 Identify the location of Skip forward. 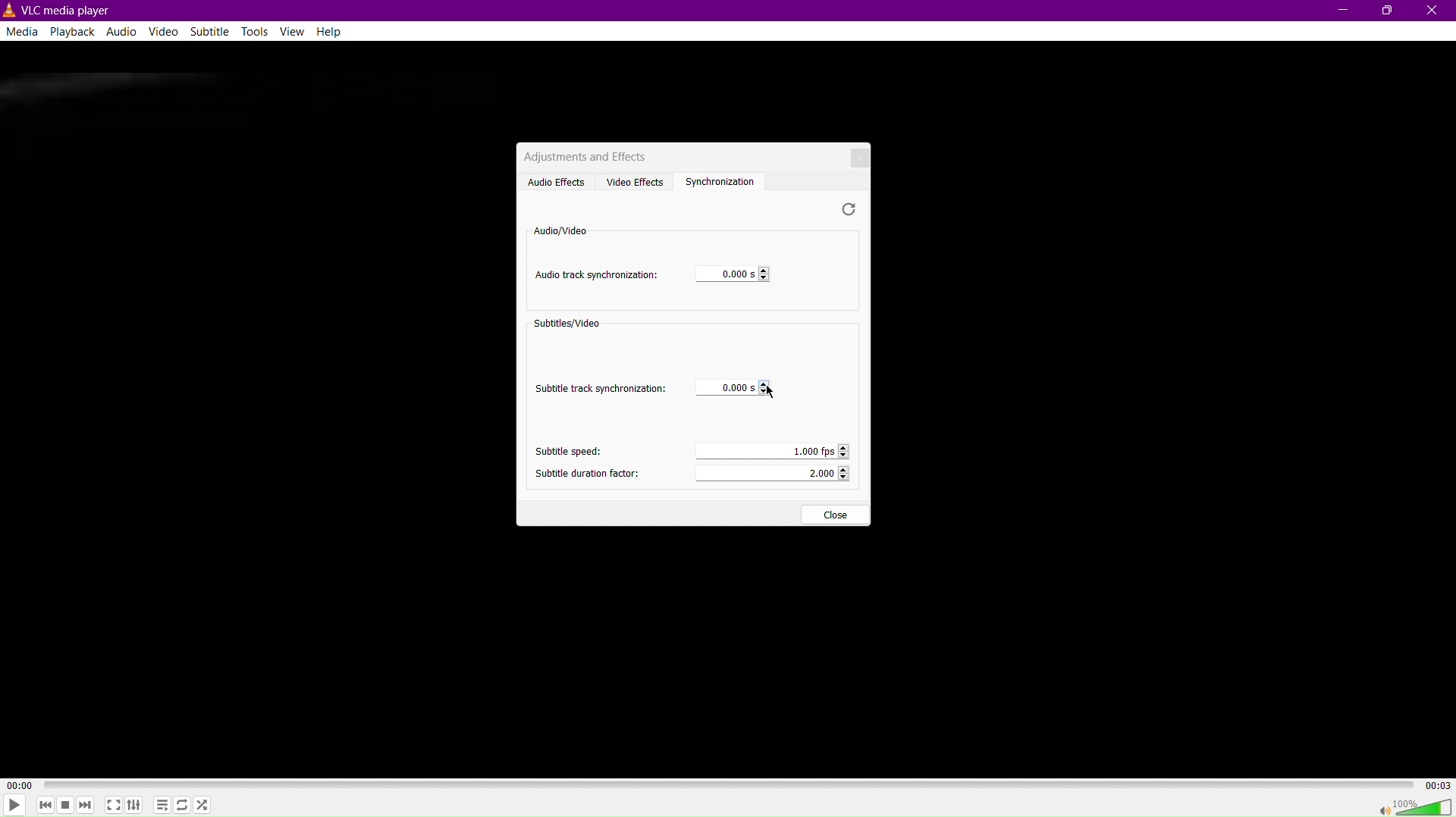
(86, 804).